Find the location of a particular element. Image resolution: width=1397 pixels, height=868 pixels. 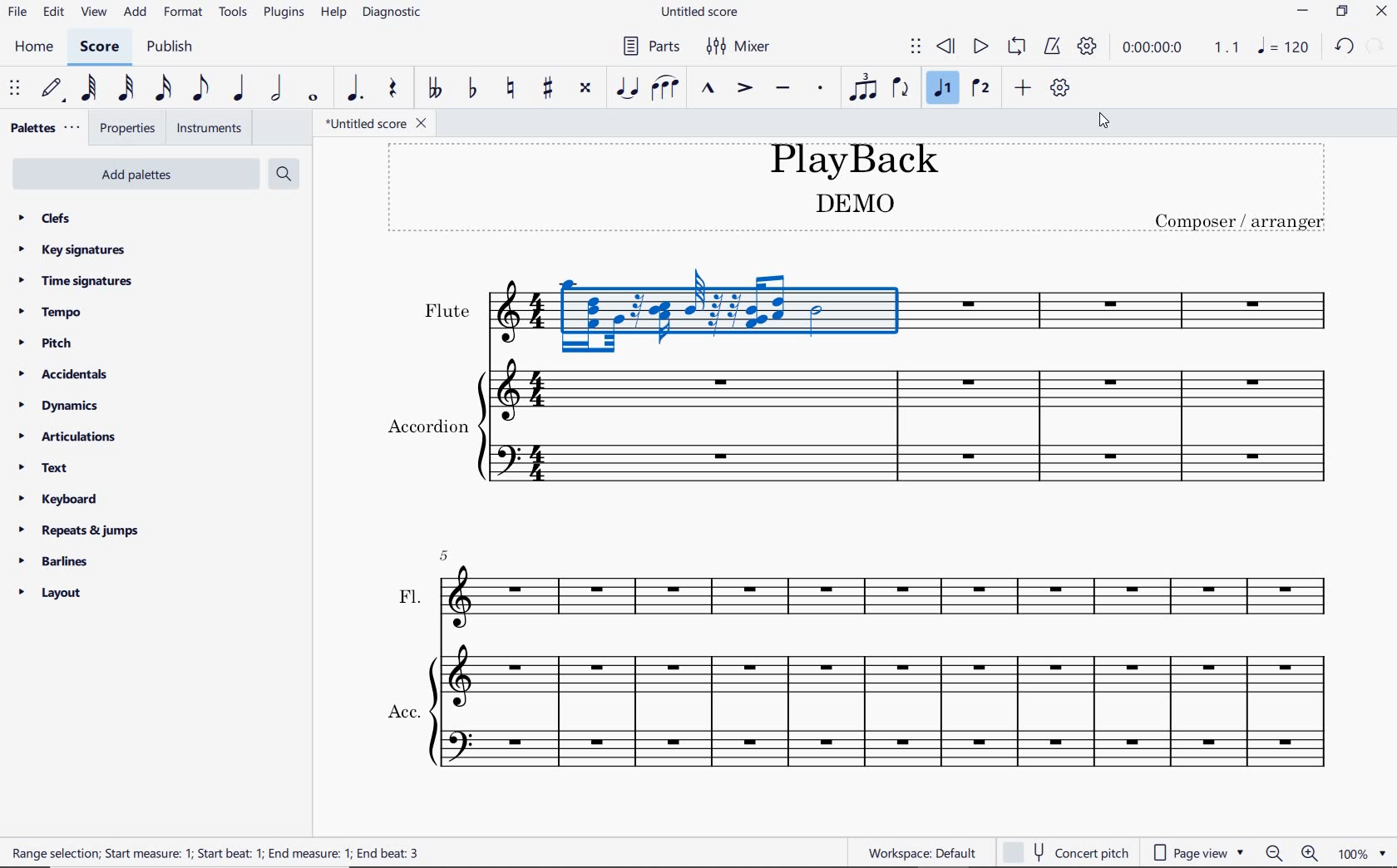

undo is located at coordinates (1344, 47).